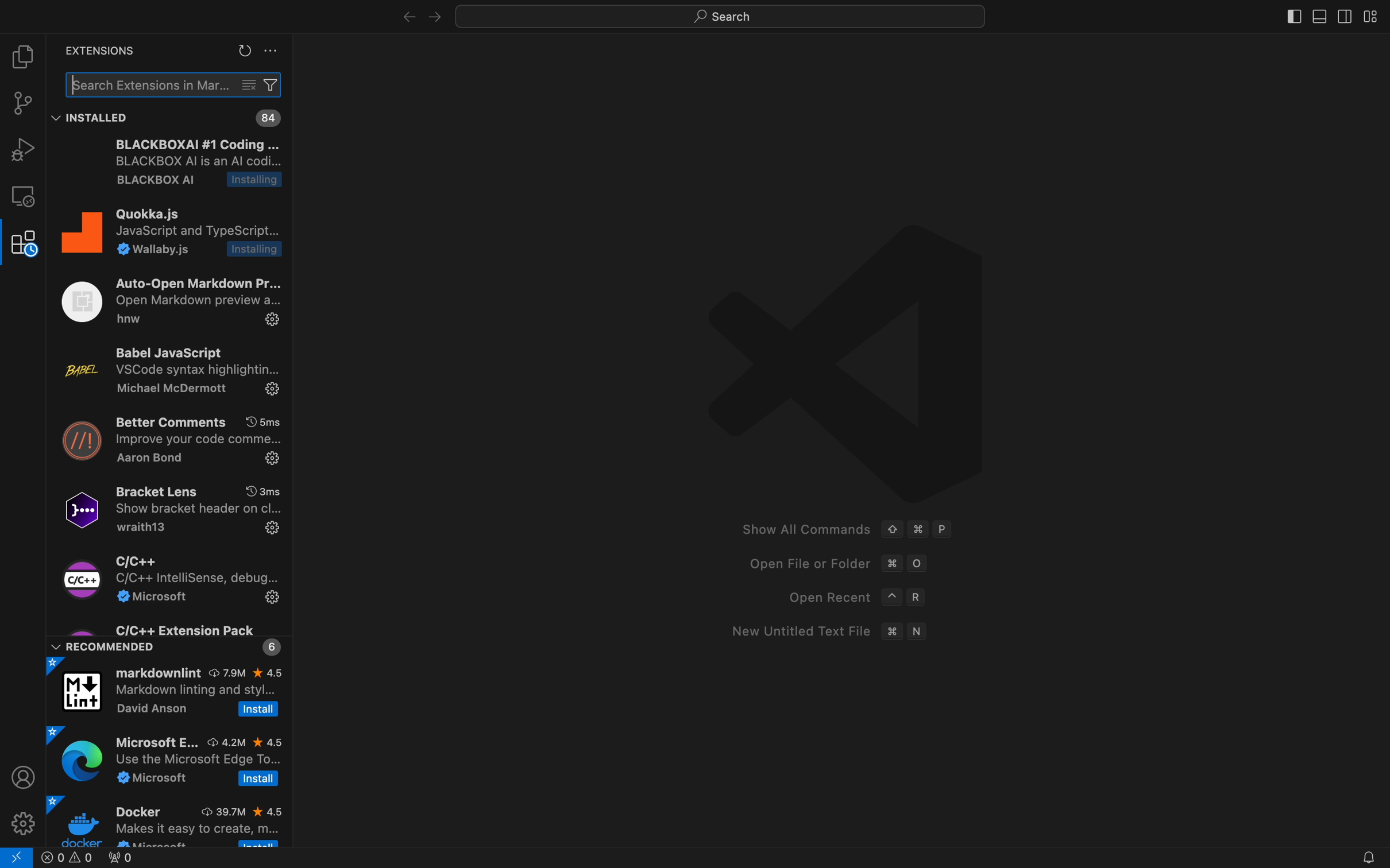 The height and width of the screenshot is (868, 1390). Describe the element at coordinates (418, 17) in the screenshot. I see `arrows` at that location.